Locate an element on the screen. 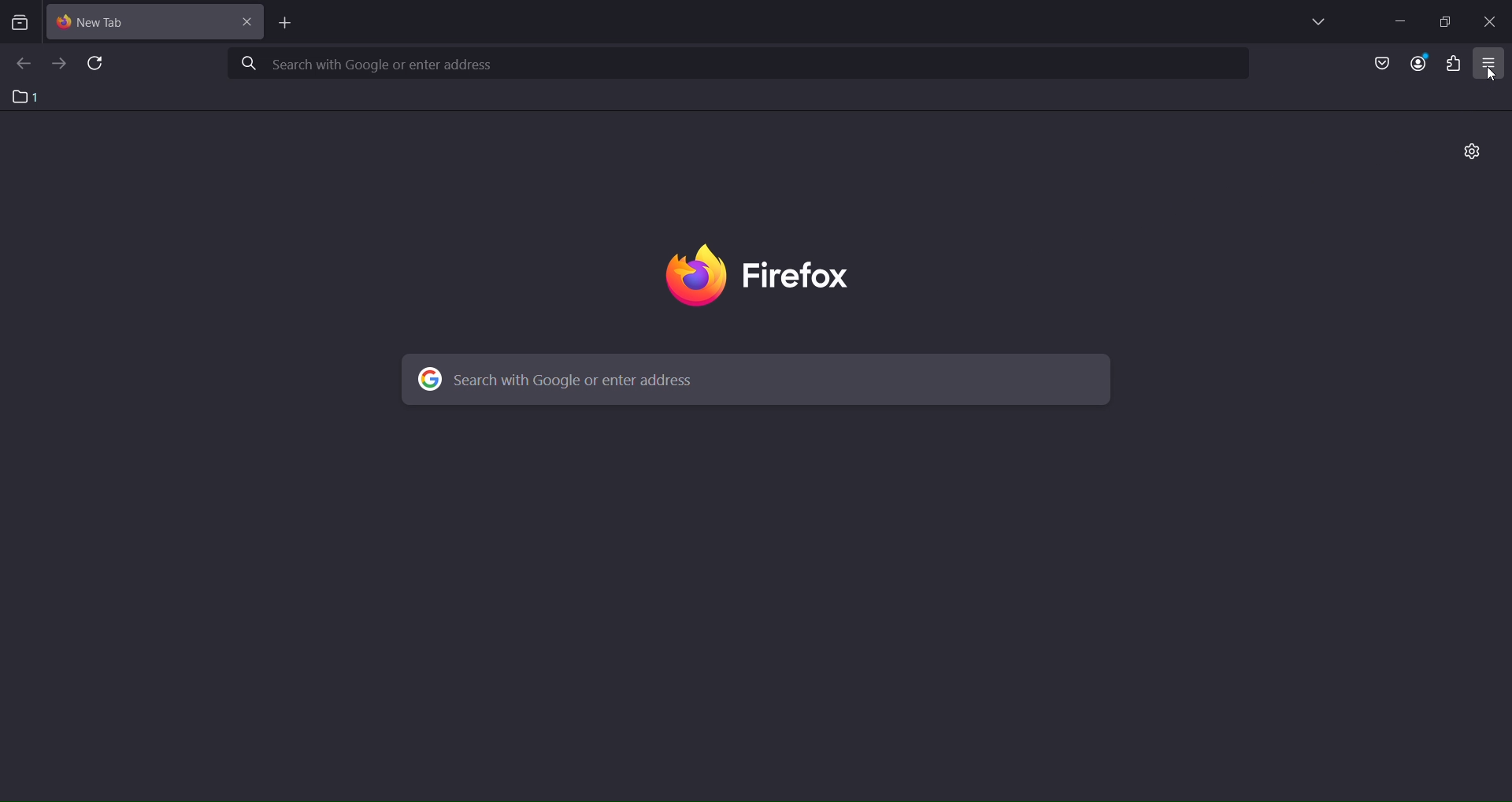 The height and width of the screenshot is (802, 1512). personalize new tab is located at coordinates (1473, 153).